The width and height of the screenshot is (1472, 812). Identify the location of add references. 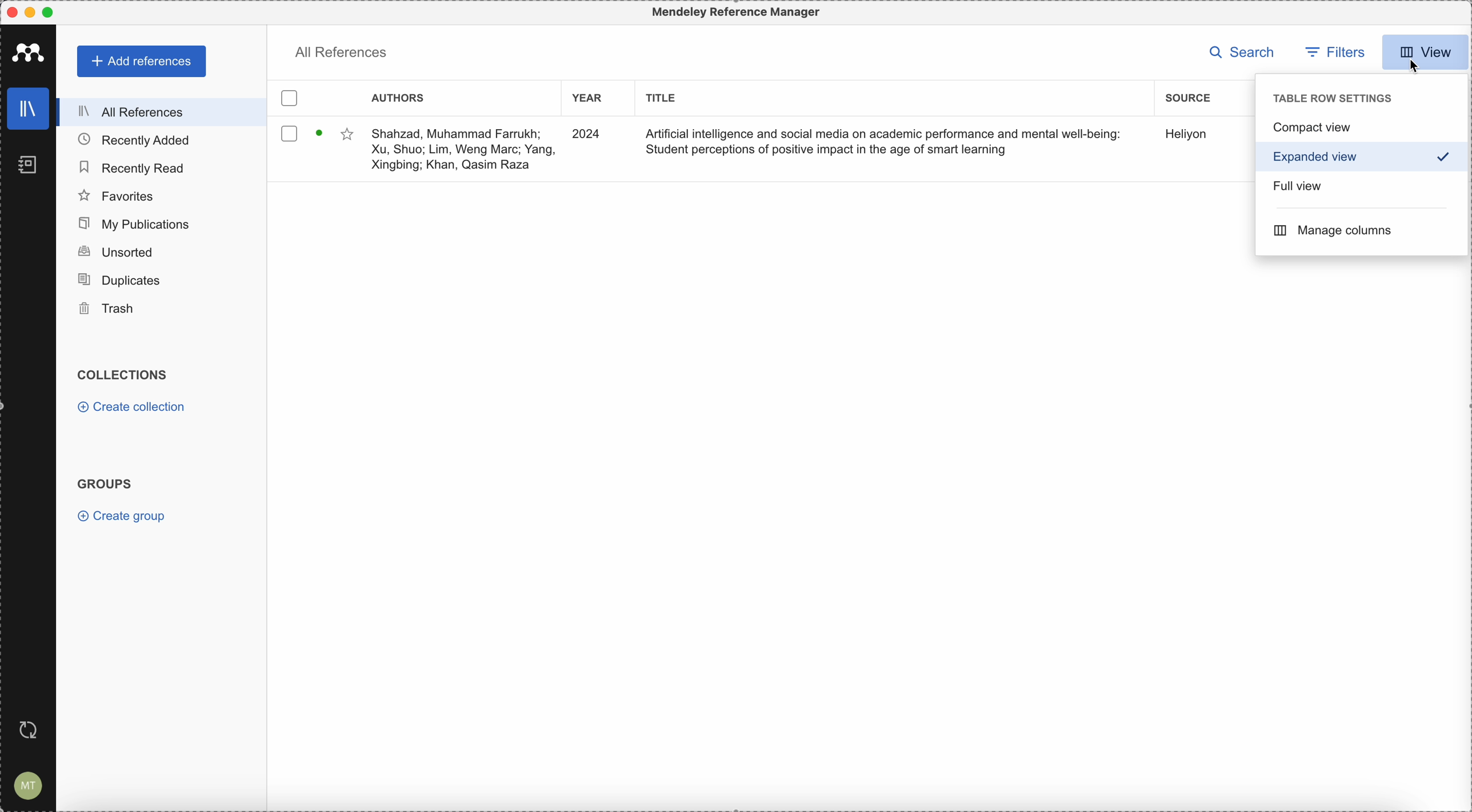
(141, 61).